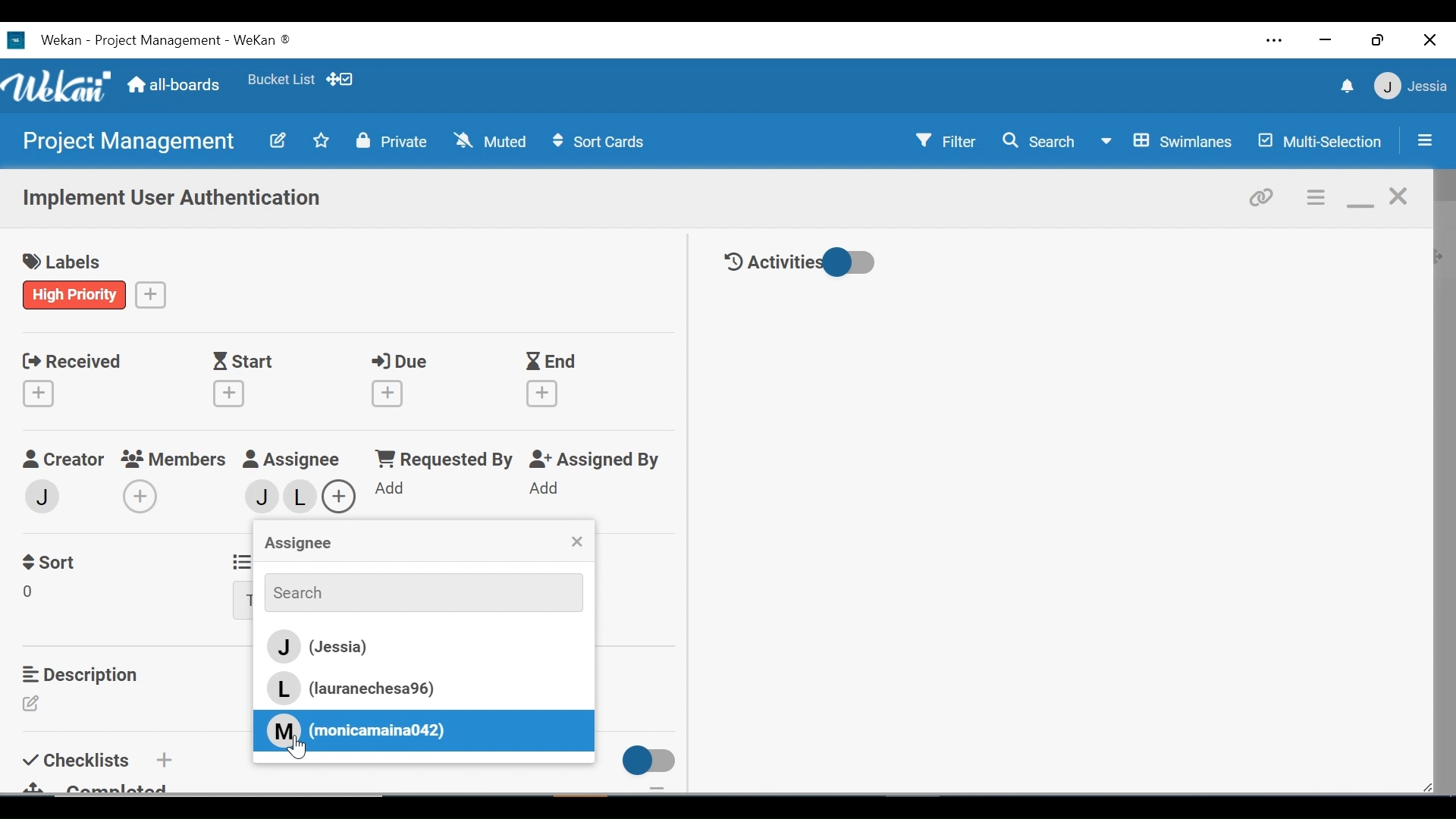 This screenshot has height=819, width=1456. What do you see at coordinates (62, 460) in the screenshot?
I see `Creator` at bounding box center [62, 460].